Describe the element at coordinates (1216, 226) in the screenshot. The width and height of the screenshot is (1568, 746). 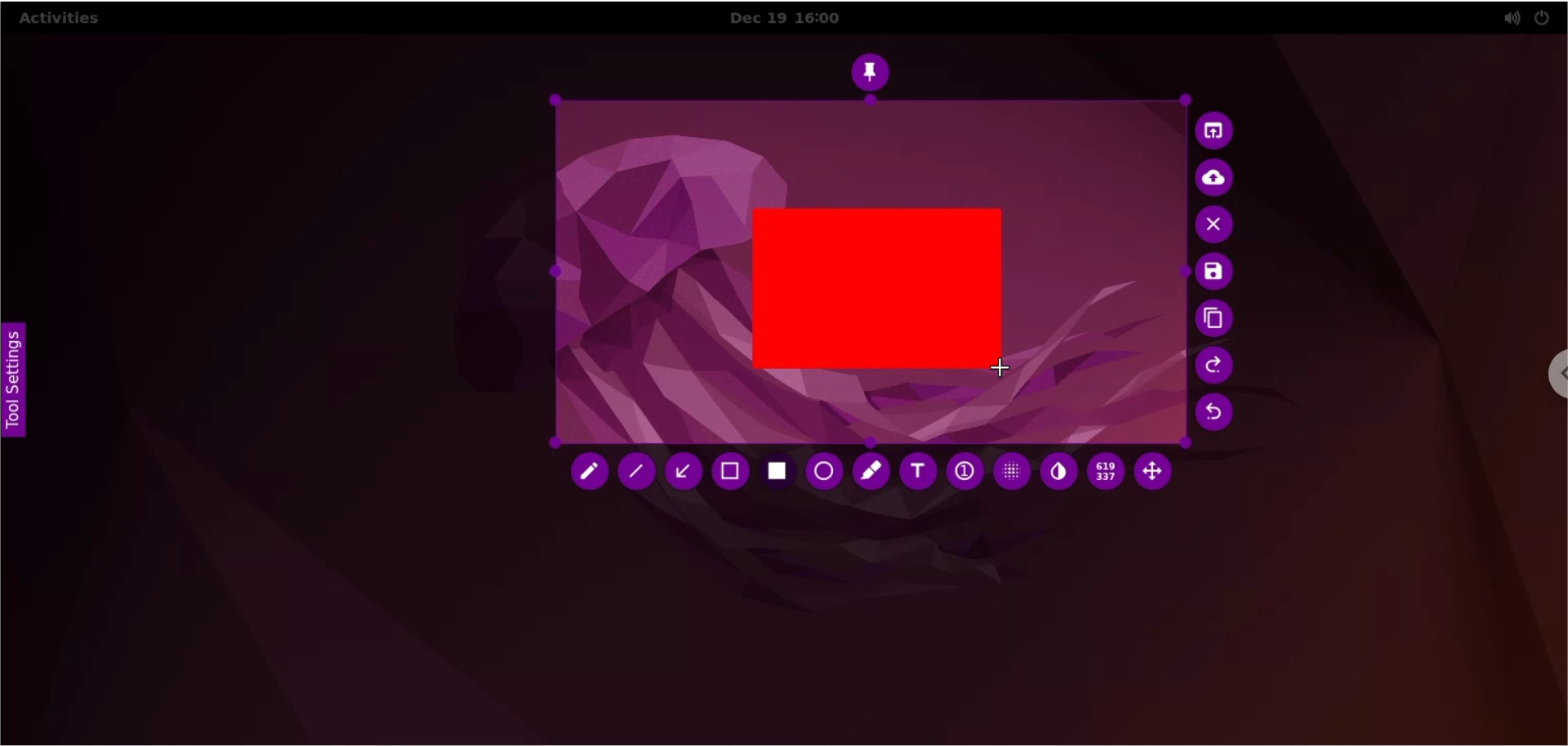
I see `cancel capture` at that location.